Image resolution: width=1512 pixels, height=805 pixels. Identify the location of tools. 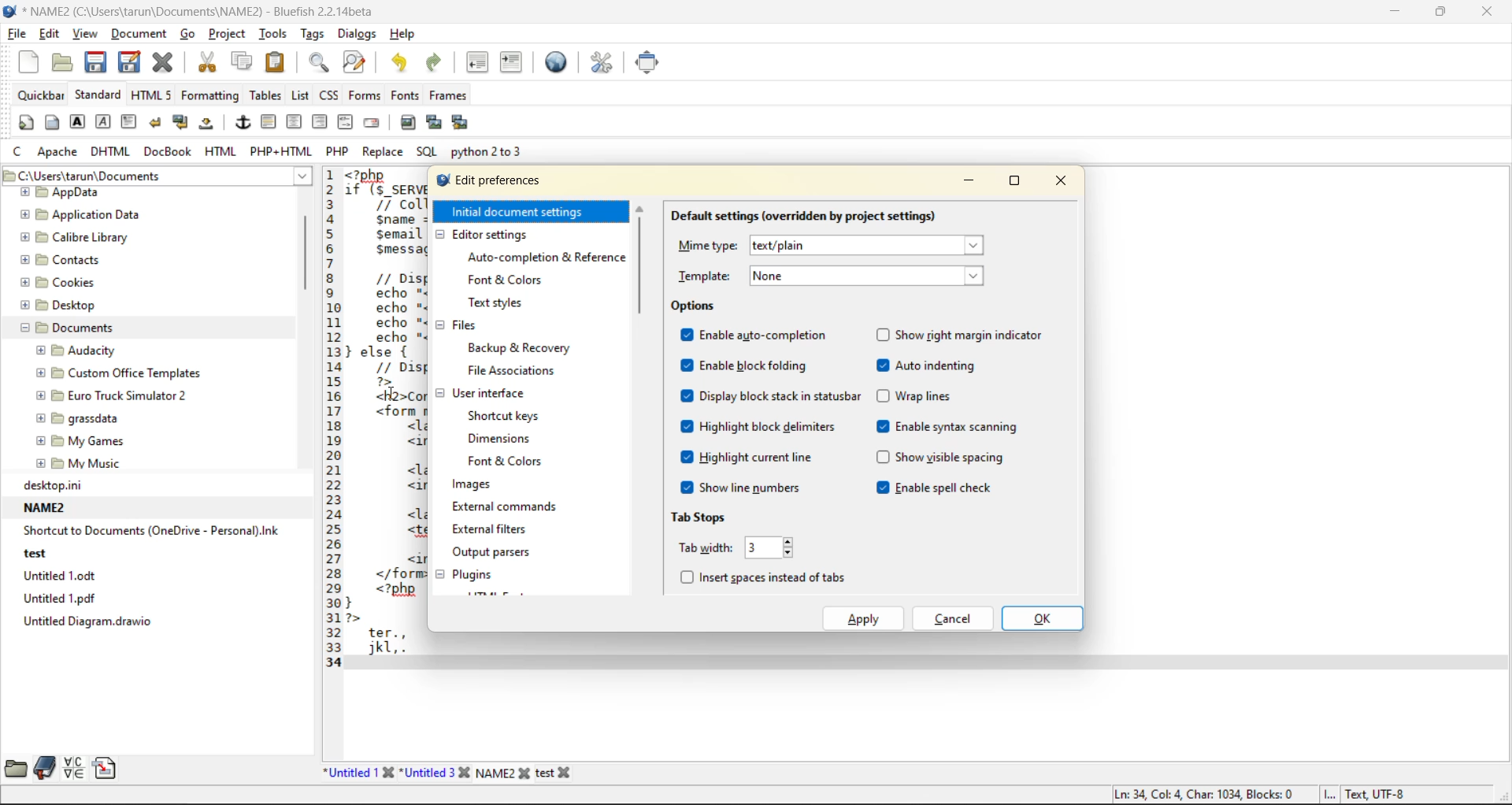
(275, 35).